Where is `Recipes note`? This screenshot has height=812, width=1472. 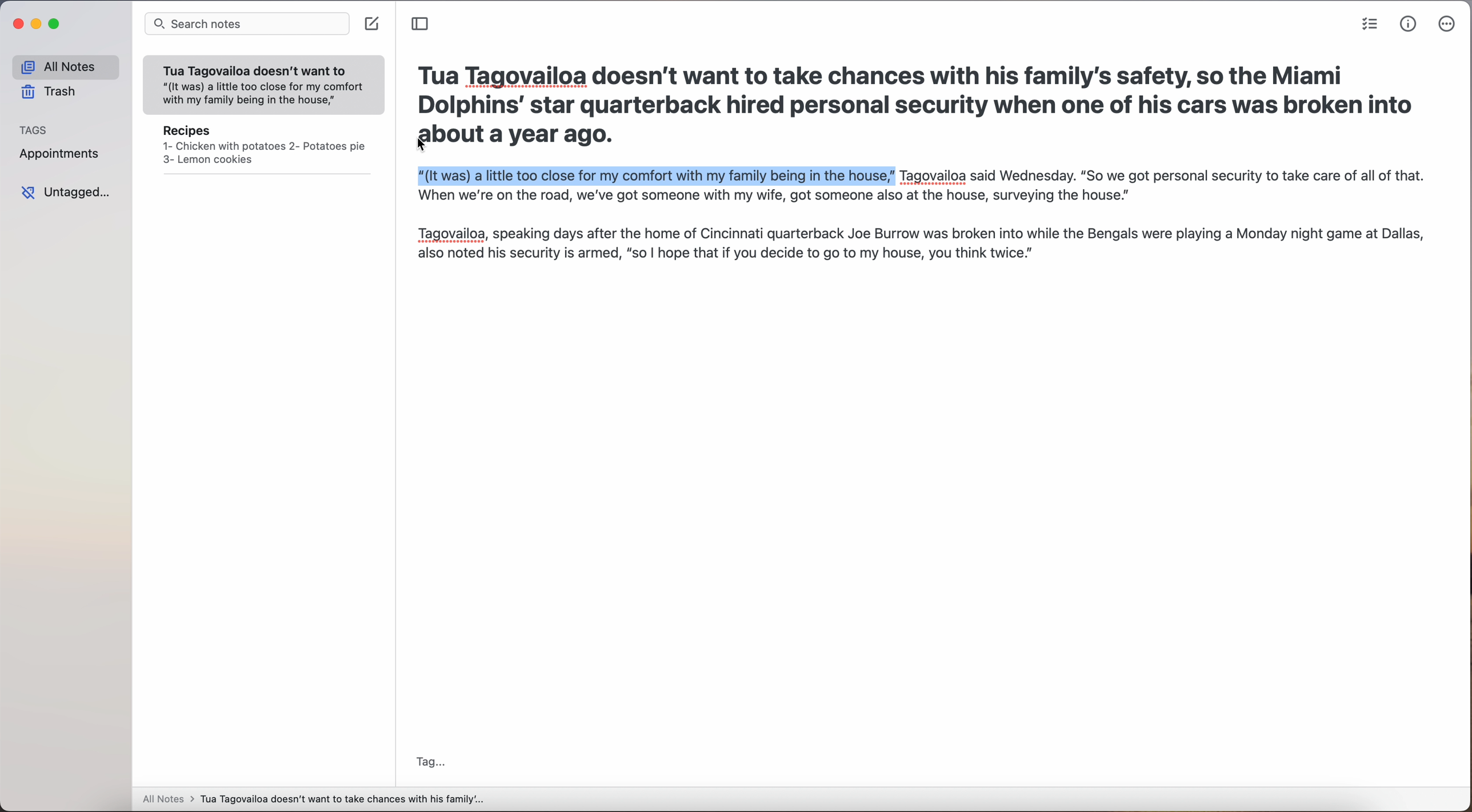
Recipes note is located at coordinates (264, 149).